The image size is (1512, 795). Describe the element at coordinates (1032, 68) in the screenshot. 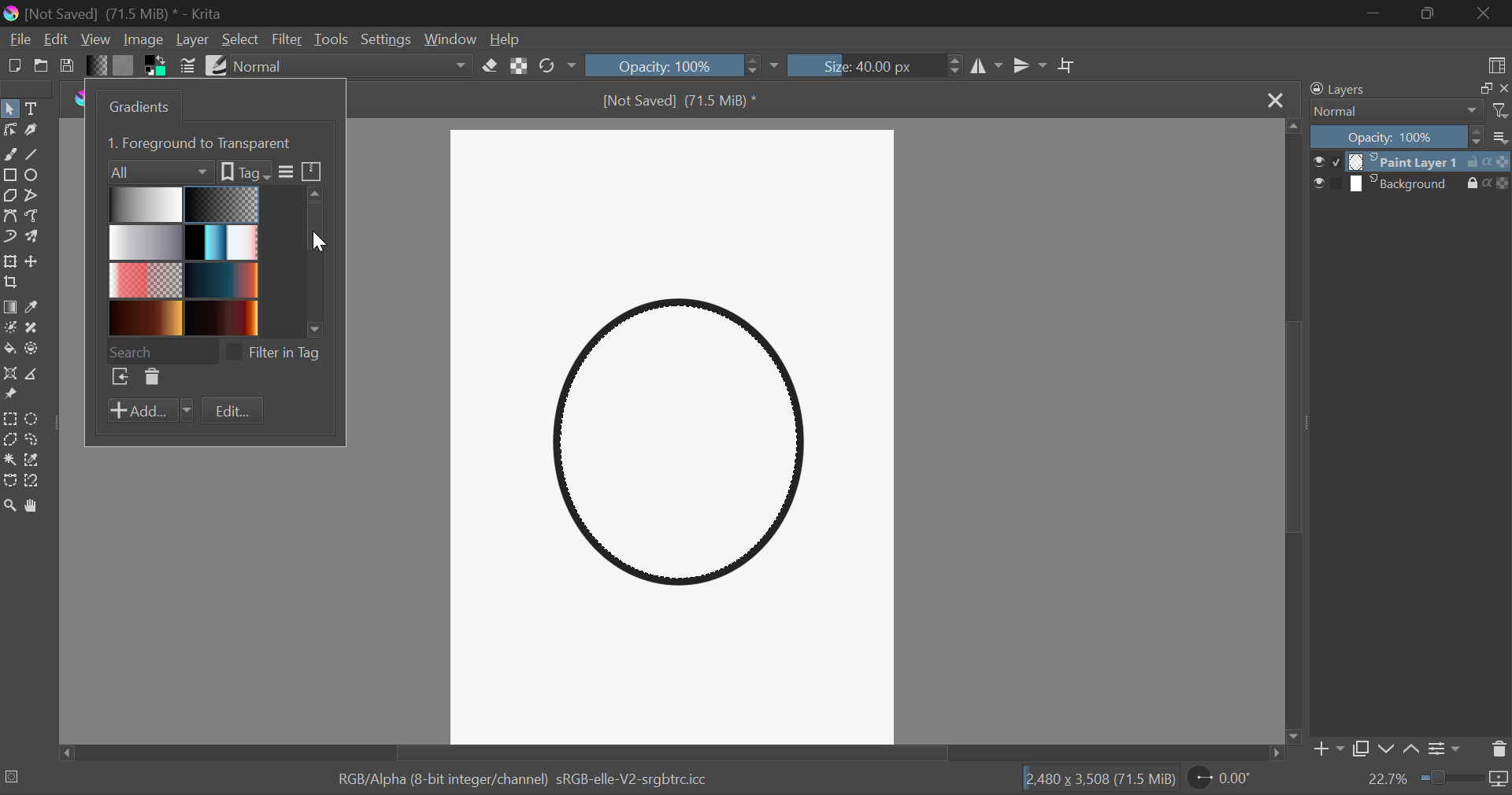

I see `Horizontal Mirror Flip` at that location.